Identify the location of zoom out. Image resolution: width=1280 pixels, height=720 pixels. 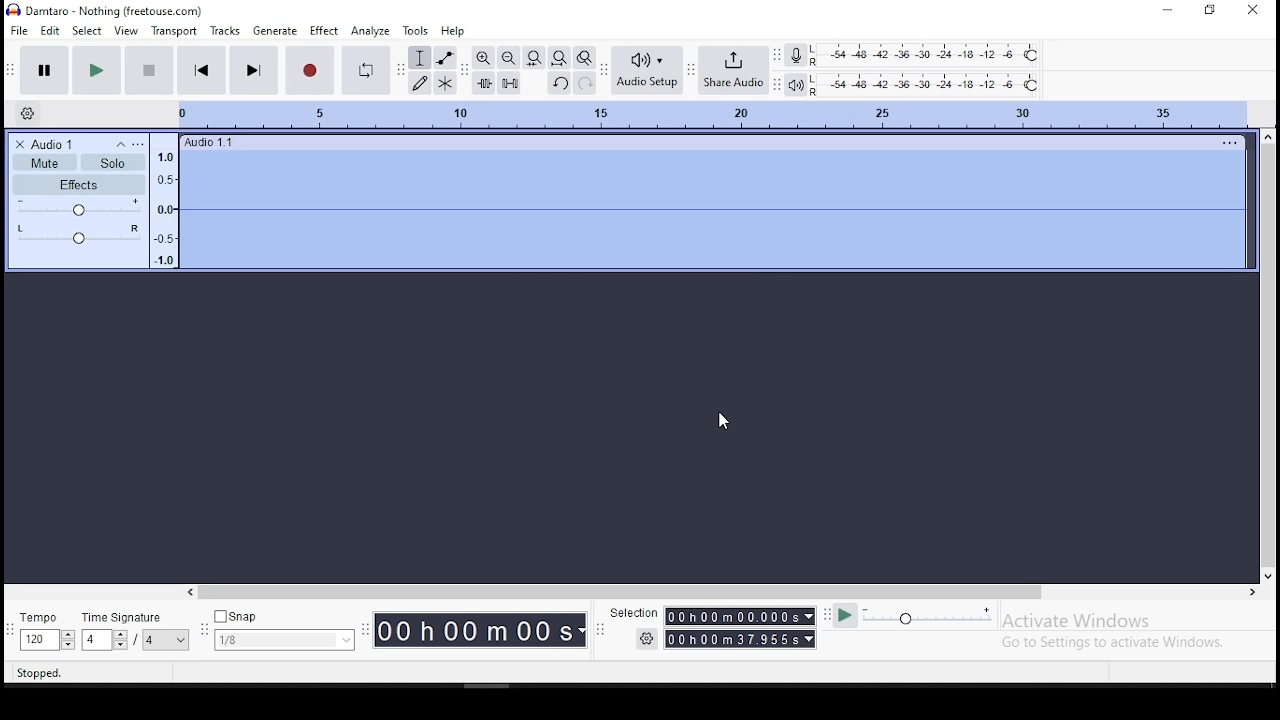
(507, 57).